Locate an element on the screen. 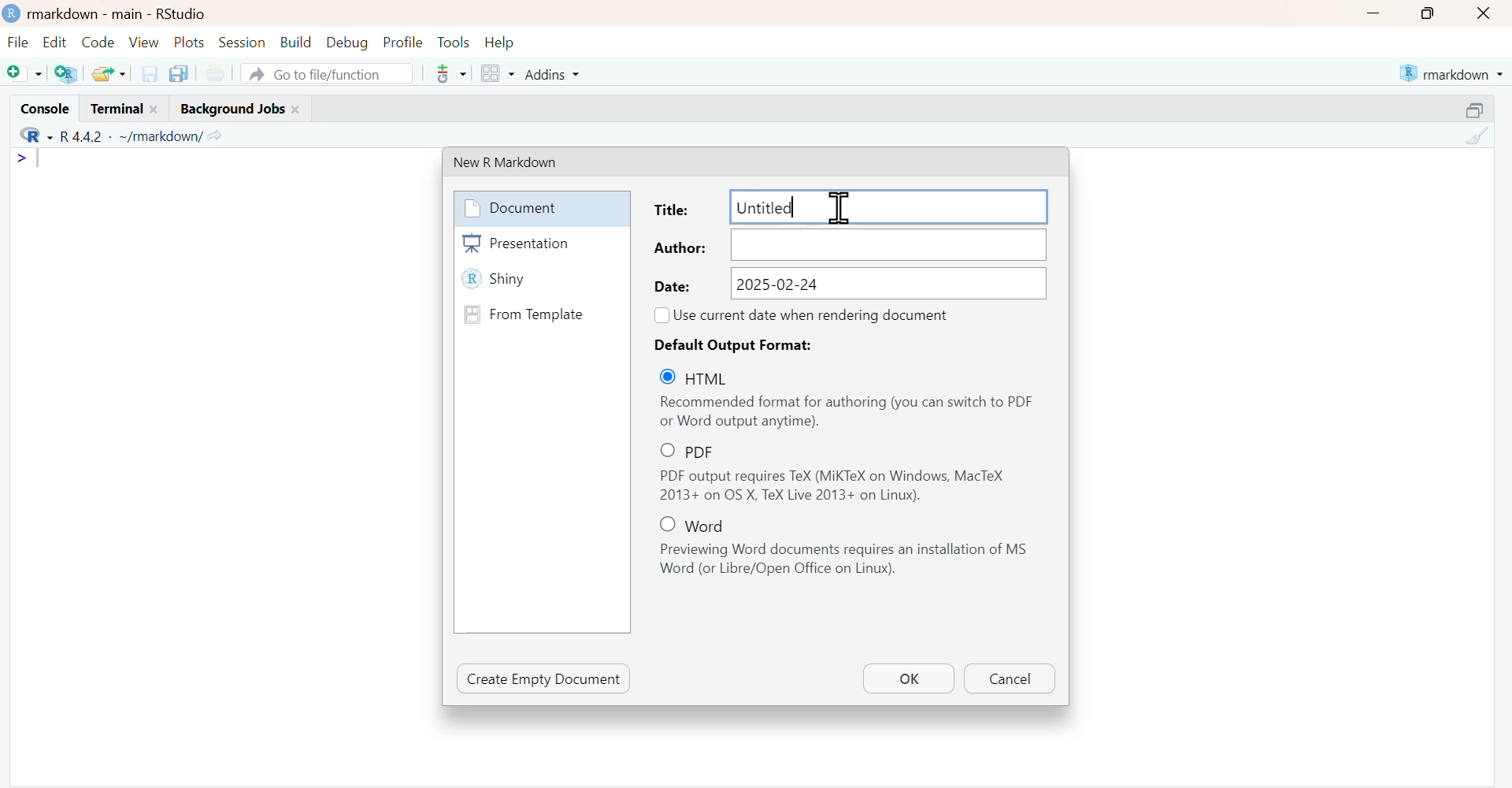 This screenshot has height=788, width=1512. HTML is located at coordinates (705, 377).